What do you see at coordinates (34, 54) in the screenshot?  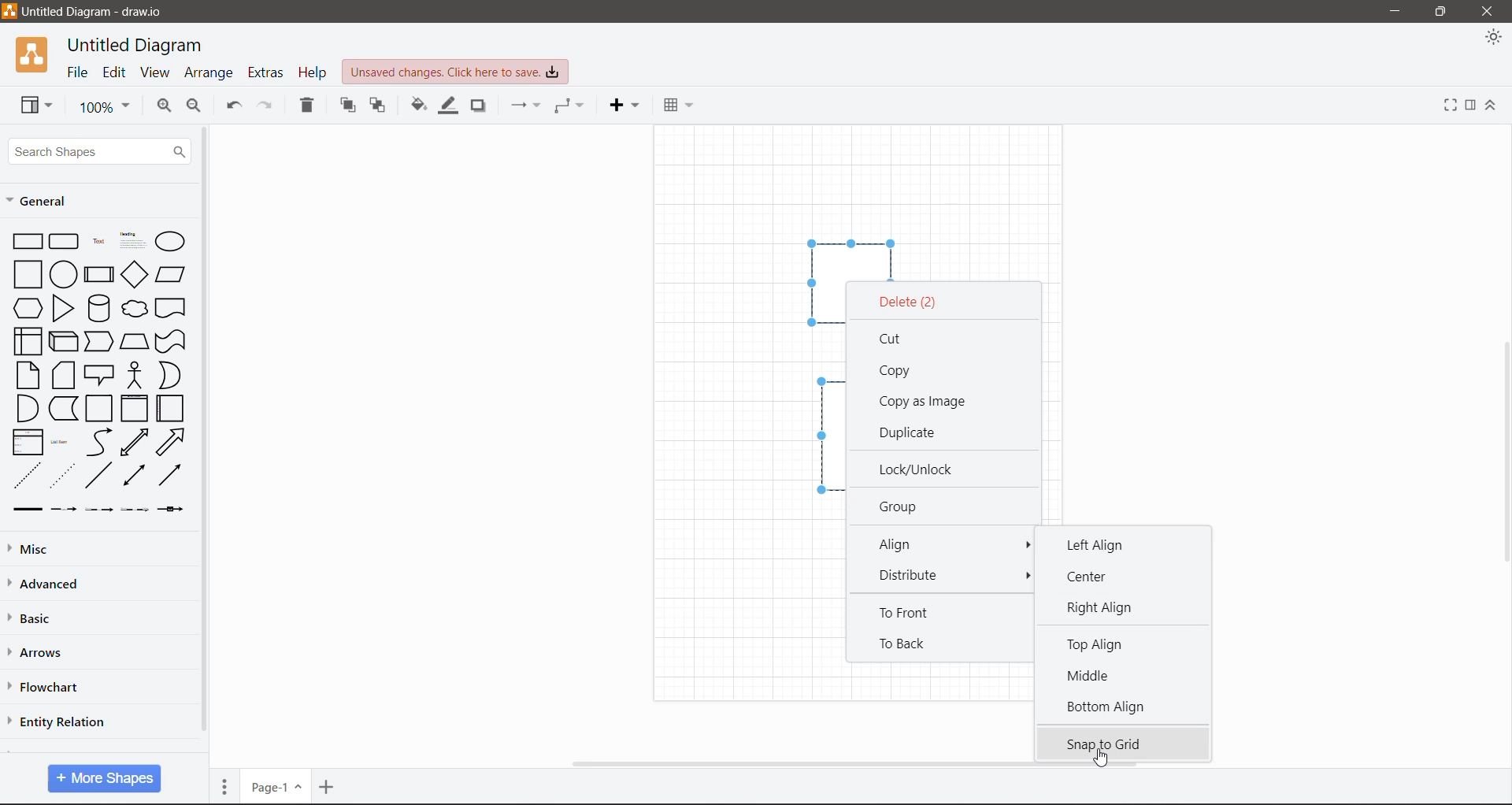 I see `Application Logo` at bounding box center [34, 54].